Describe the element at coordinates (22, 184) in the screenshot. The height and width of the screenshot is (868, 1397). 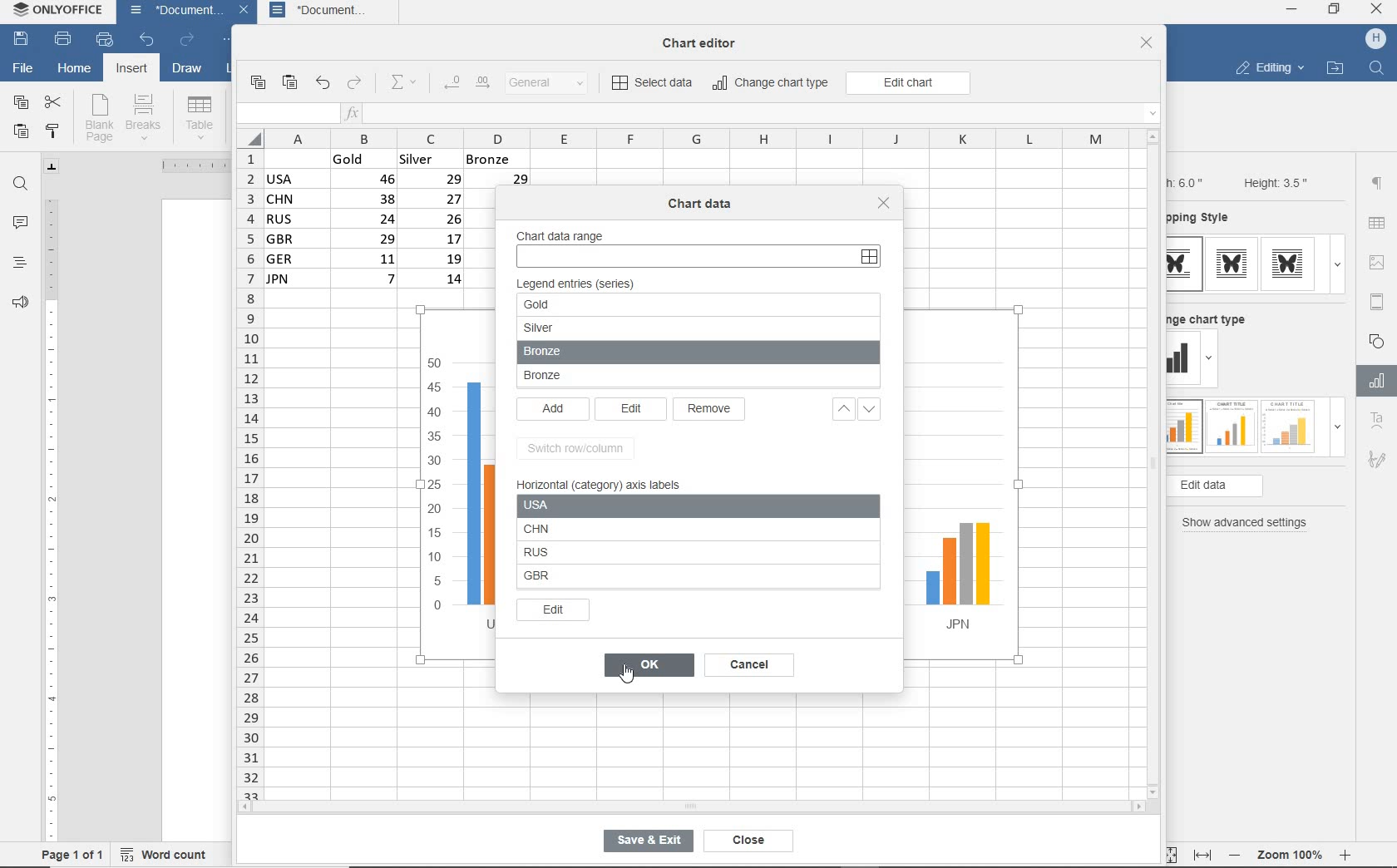
I see `find` at that location.